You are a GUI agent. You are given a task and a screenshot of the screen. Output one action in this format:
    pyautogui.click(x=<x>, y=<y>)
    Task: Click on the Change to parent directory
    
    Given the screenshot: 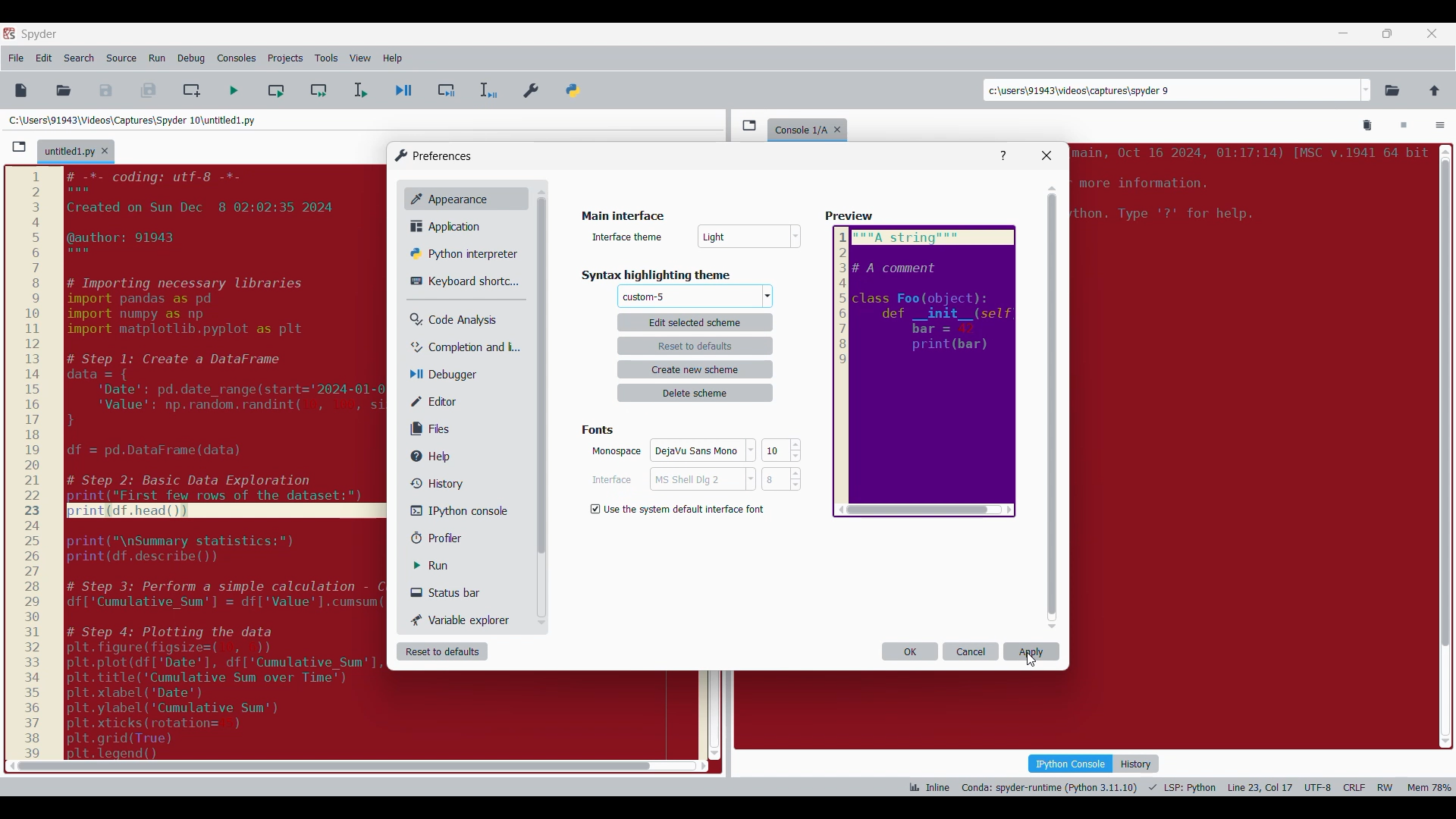 What is the action you would take?
    pyautogui.click(x=1435, y=90)
    